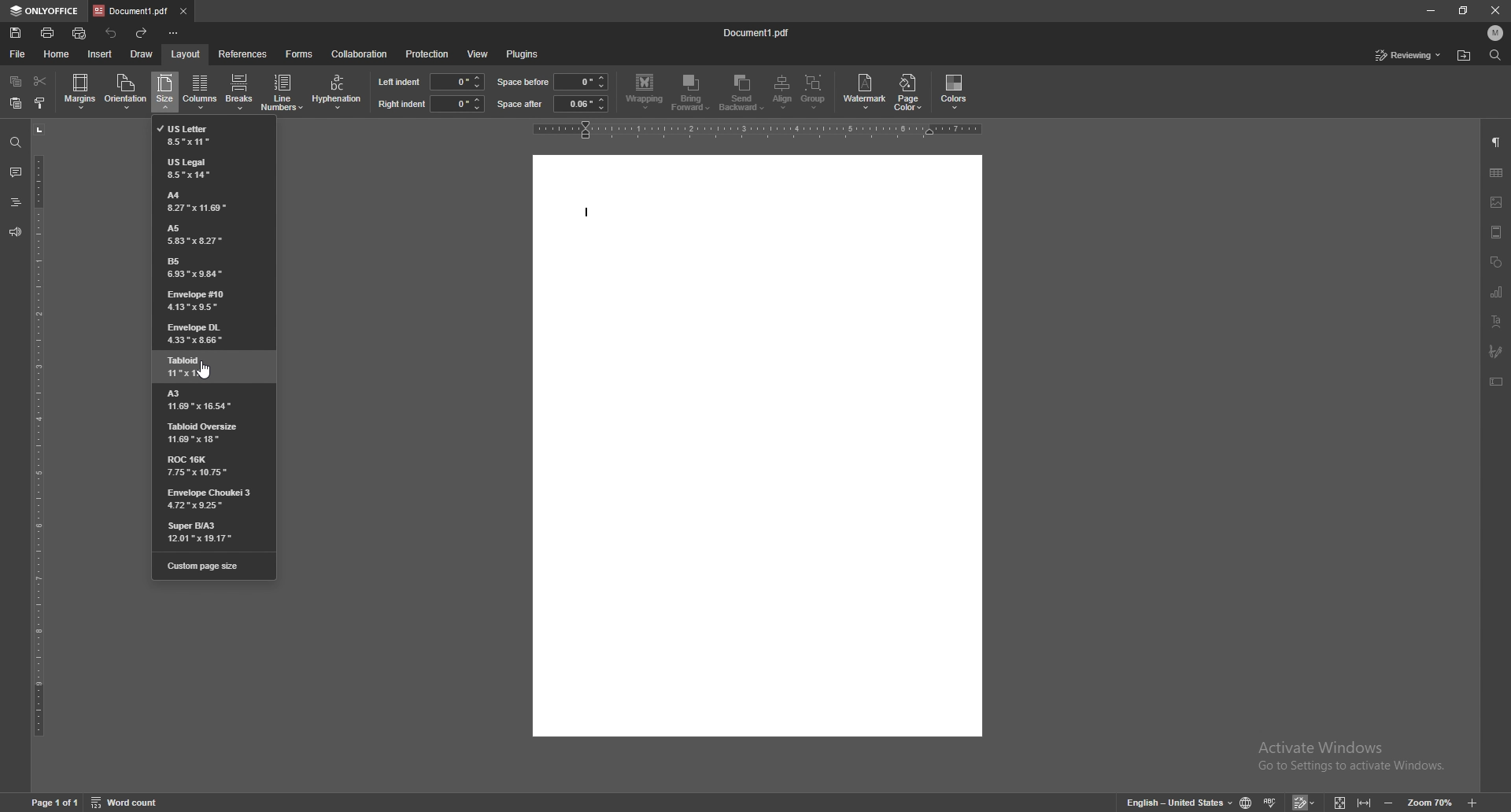 This screenshot has height=812, width=1511. Describe the element at coordinates (1497, 32) in the screenshot. I see `profile` at that location.